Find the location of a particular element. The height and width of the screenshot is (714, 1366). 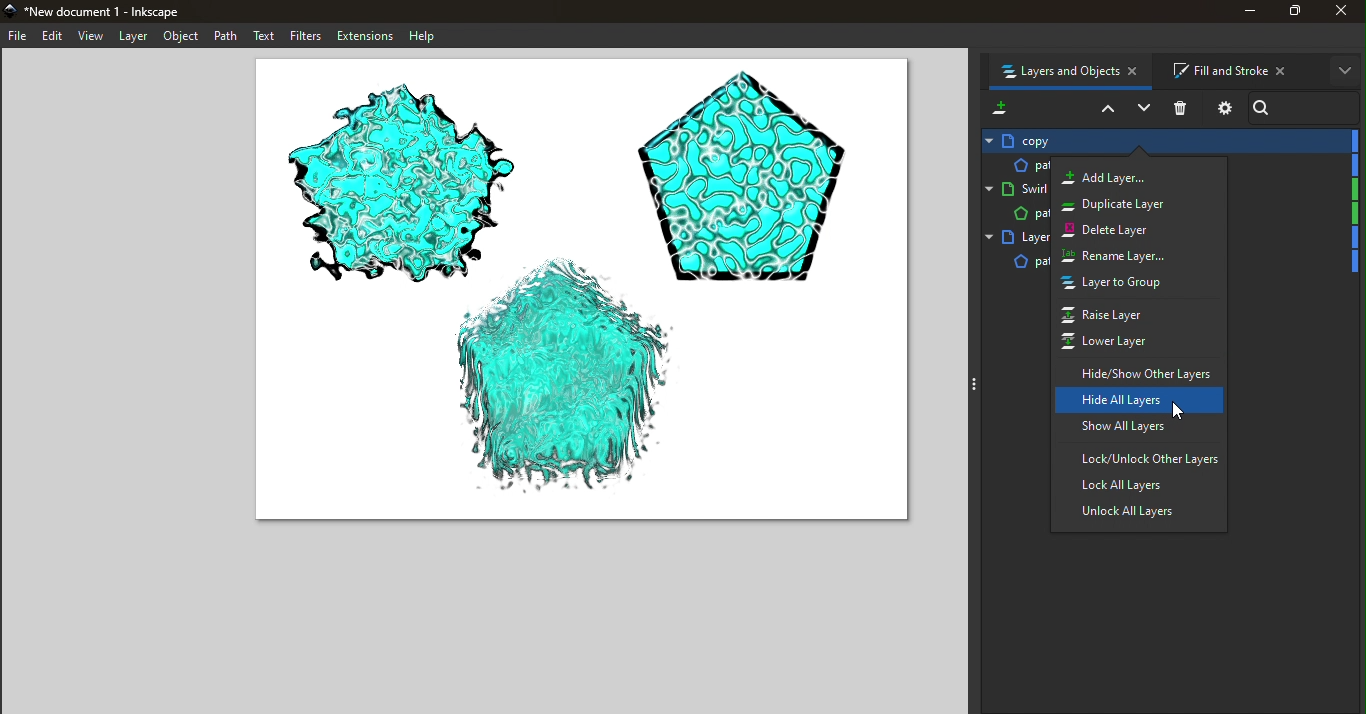

Delete selected item is located at coordinates (1182, 109).